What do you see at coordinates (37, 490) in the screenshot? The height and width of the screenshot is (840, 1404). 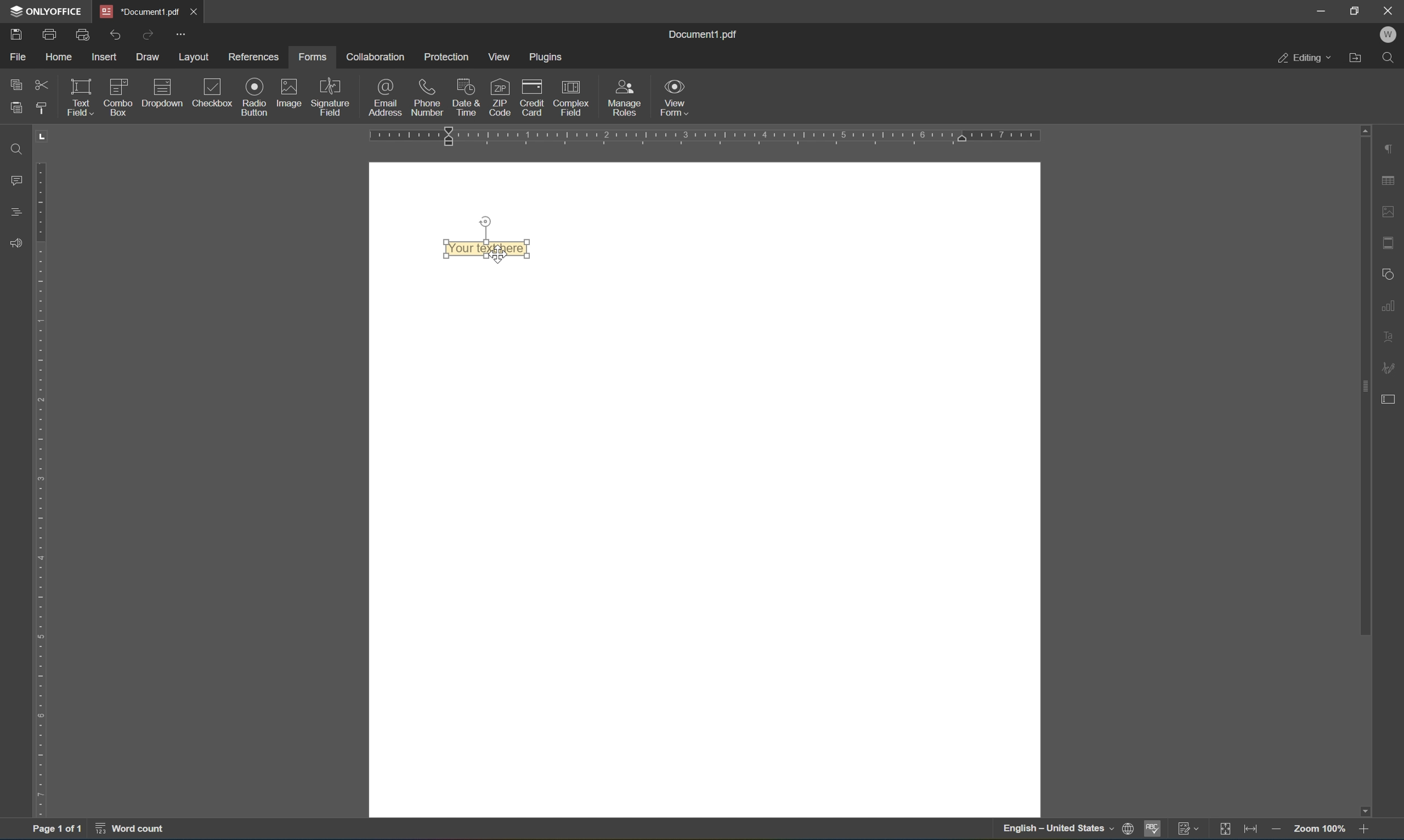 I see `ruler` at bounding box center [37, 490].